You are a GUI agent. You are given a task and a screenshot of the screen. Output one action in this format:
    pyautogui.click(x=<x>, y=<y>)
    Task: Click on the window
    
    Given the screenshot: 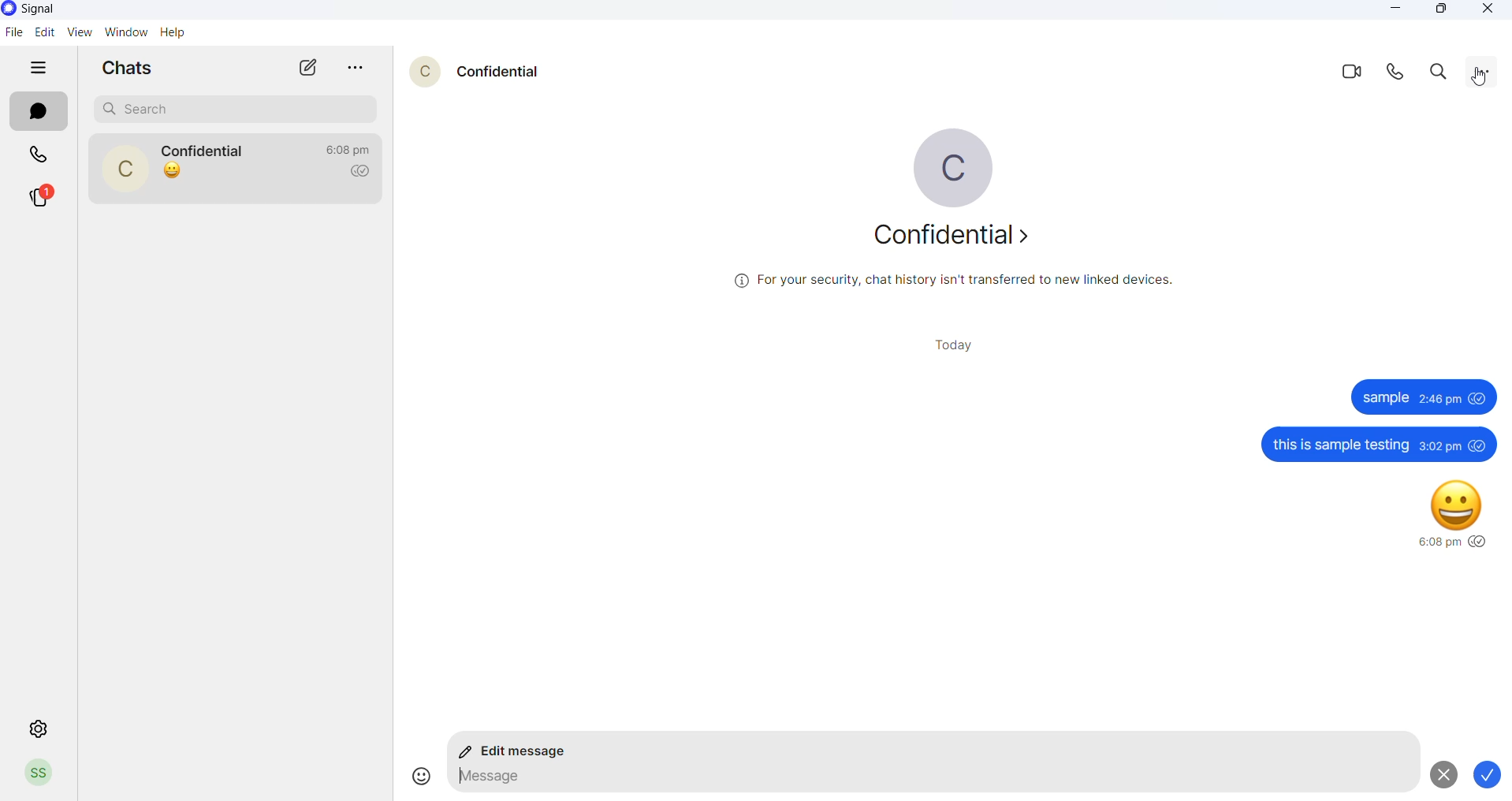 What is the action you would take?
    pyautogui.click(x=123, y=34)
    